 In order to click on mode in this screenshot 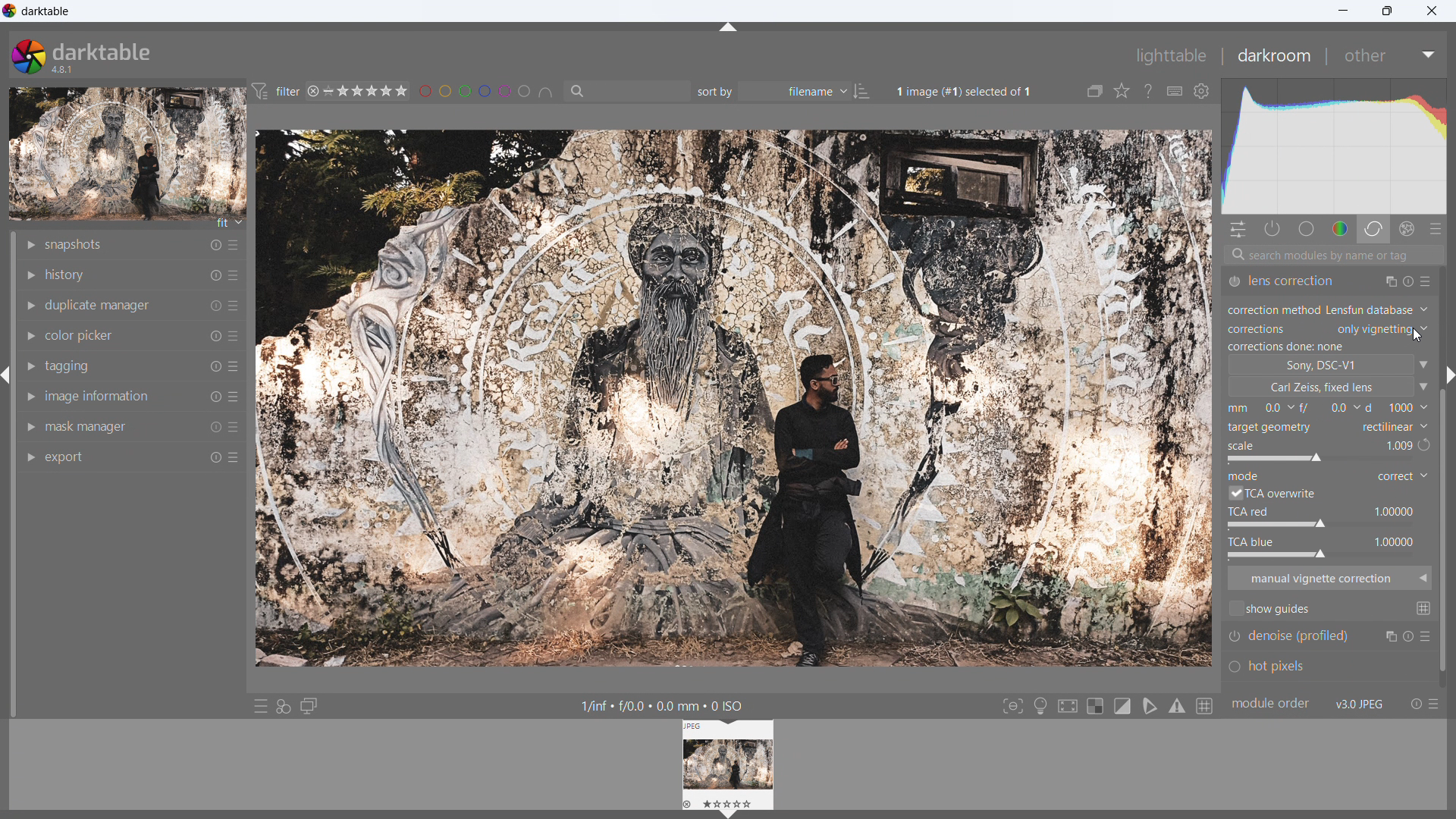, I will do `click(1401, 476)`.